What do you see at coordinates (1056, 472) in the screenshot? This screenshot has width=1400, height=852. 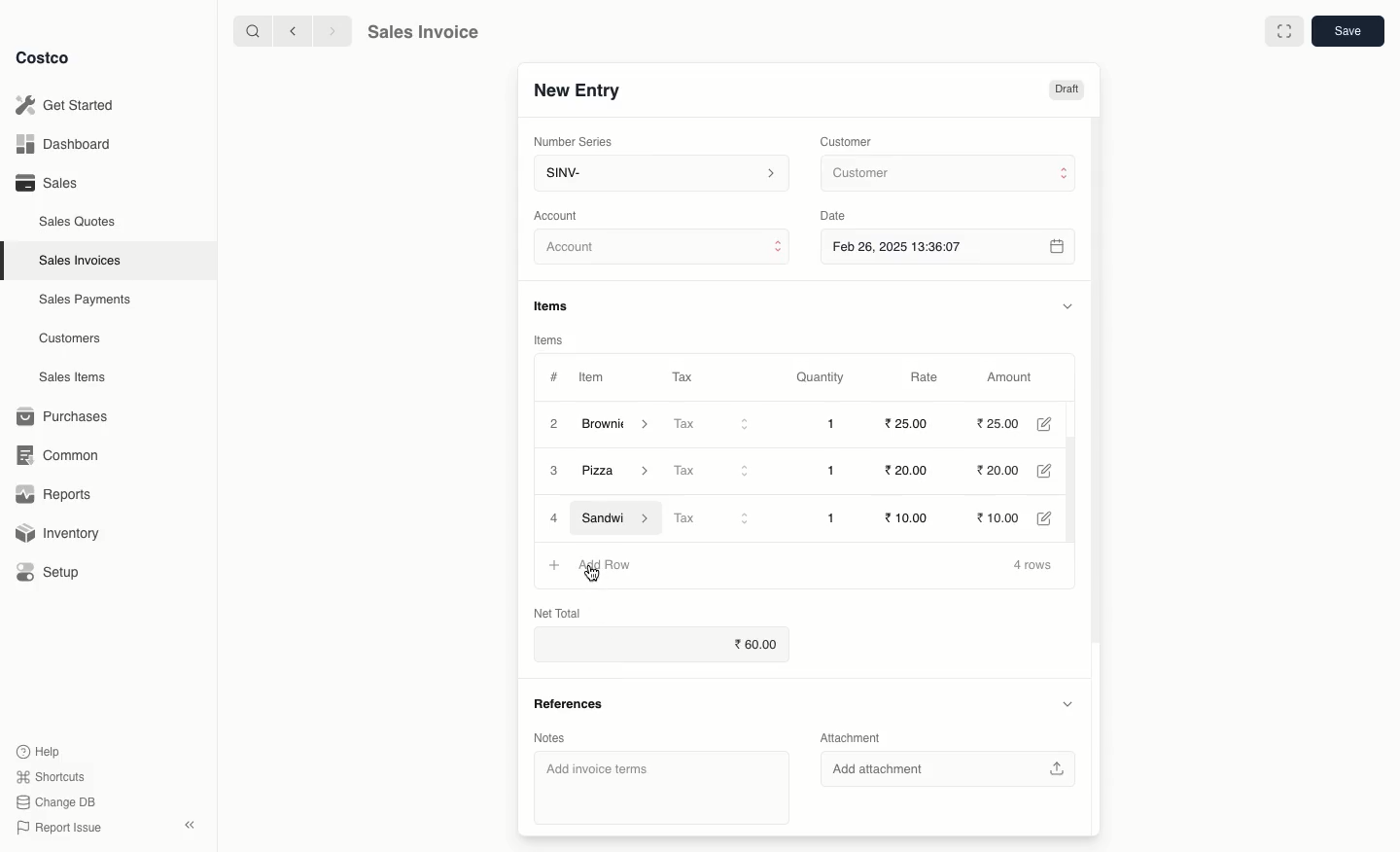 I see `Edit` at bounding box center [1056, 472].